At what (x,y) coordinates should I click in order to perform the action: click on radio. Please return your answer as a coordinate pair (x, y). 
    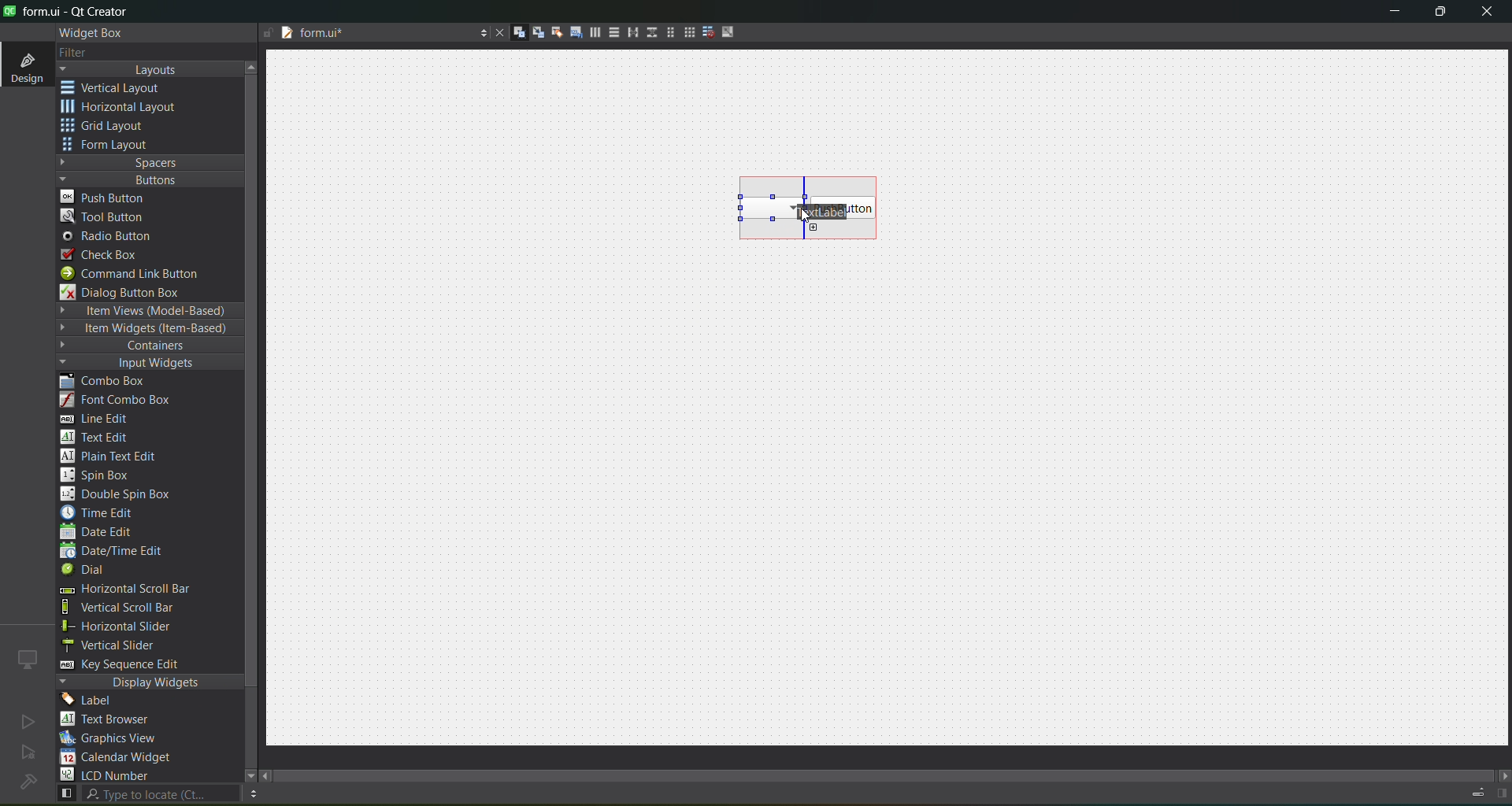
    Looking at the image, I should click on (112, 237).